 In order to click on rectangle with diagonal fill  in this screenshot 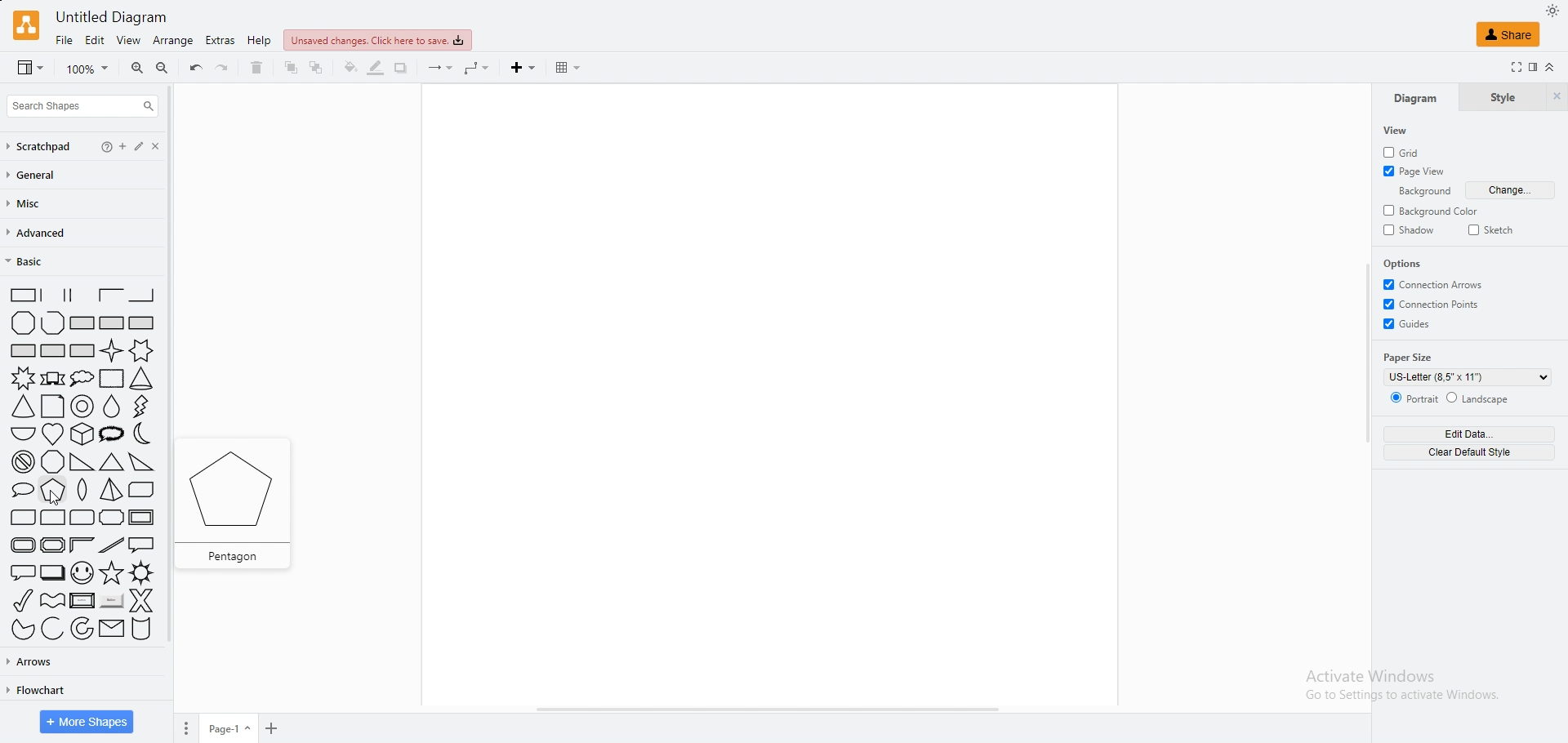, I will do `click(82, 323)`.